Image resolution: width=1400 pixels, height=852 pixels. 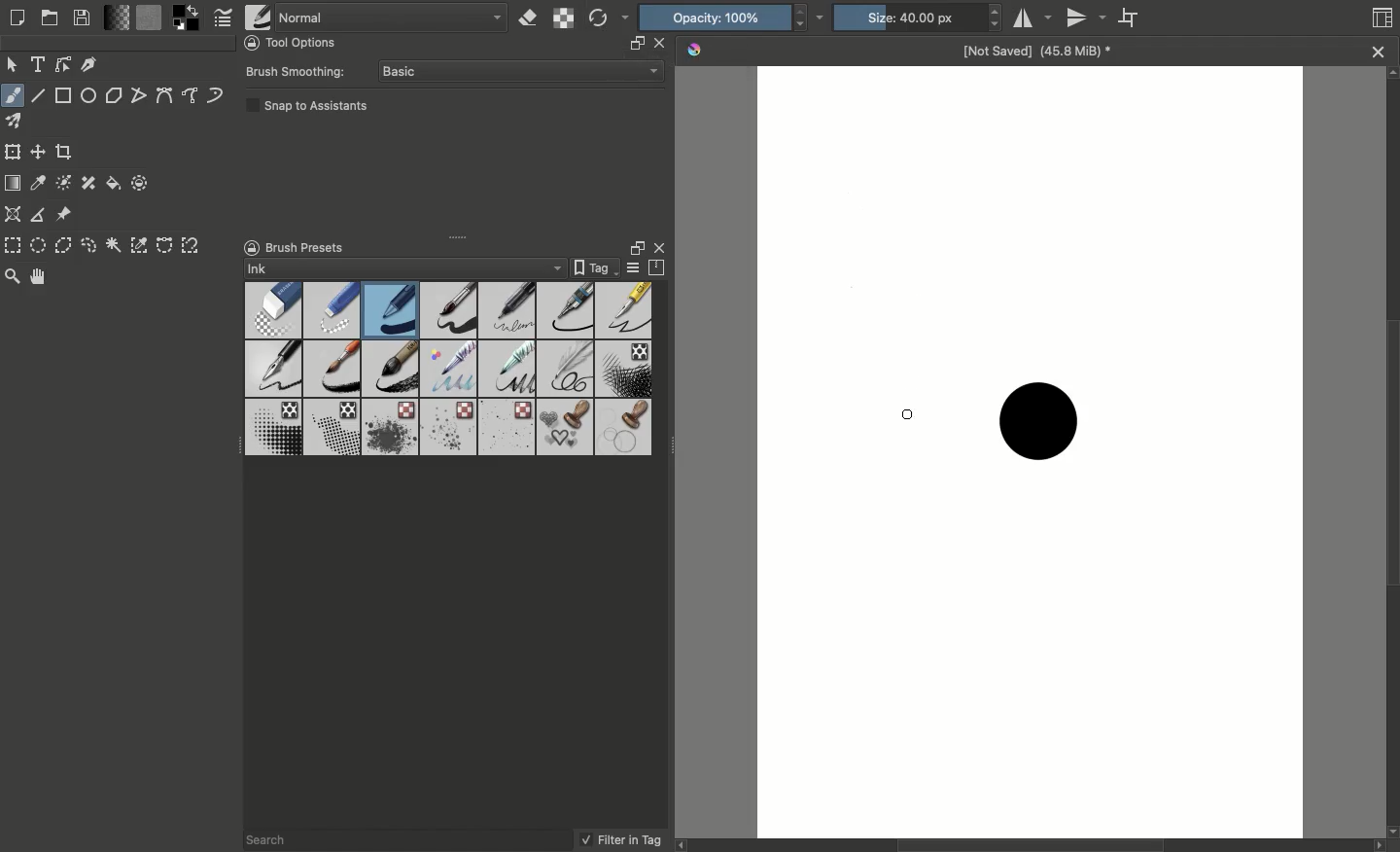 I want to click on Polyline, so click(x=139, y=95).